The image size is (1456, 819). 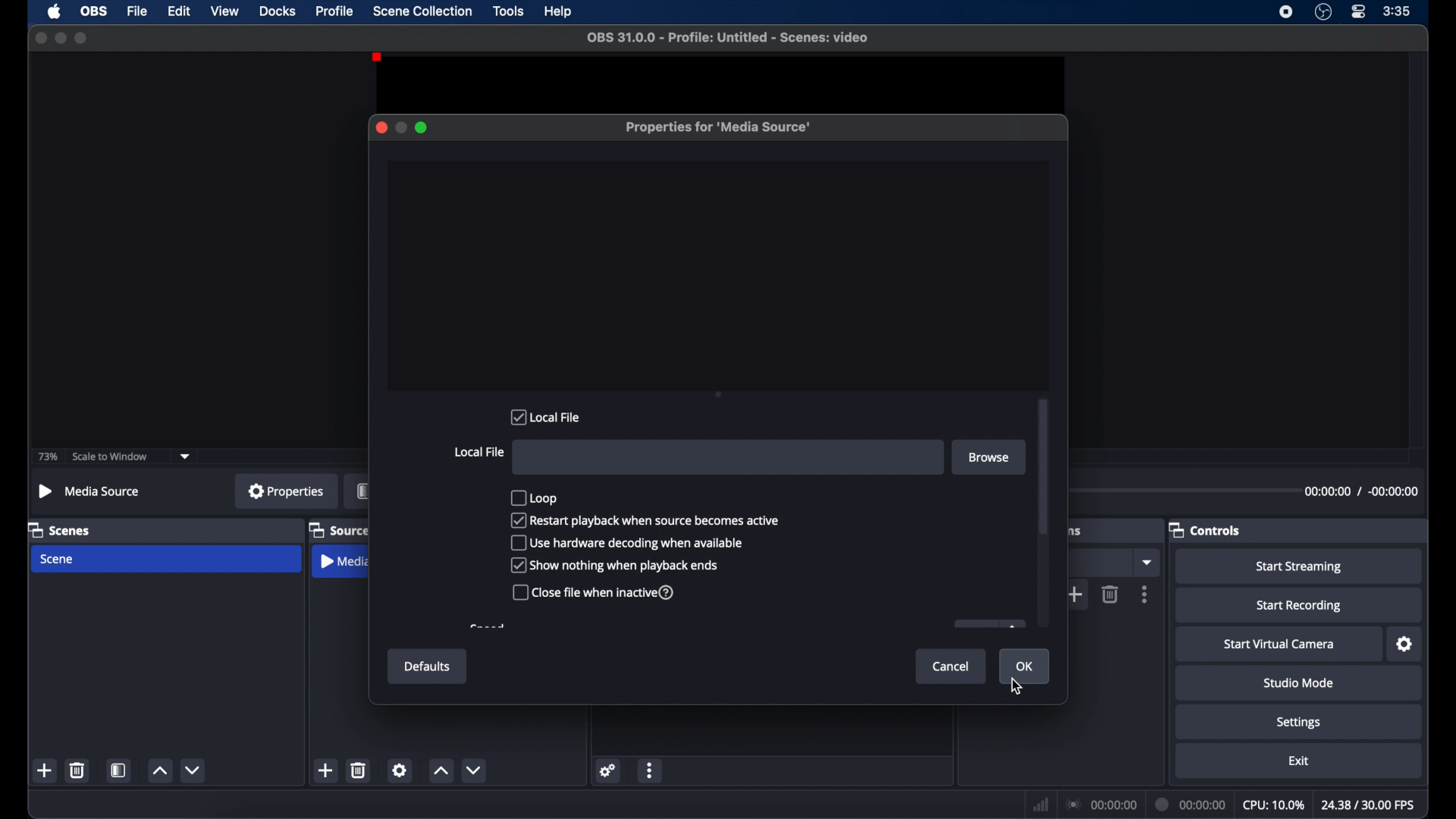 I want to click on loop, so click(x=532, y=497).